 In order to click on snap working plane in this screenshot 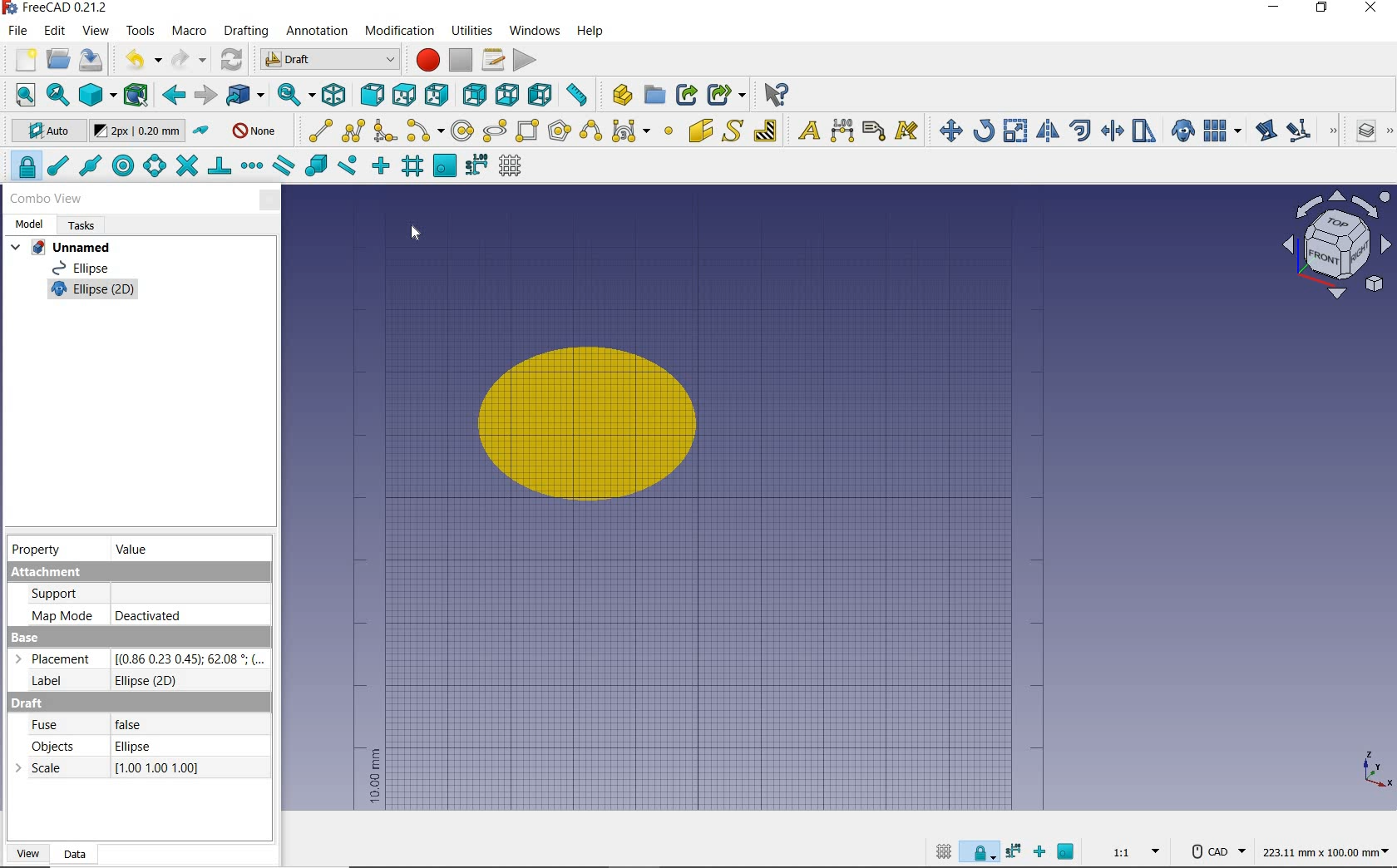, I will do `click(1068, 851)`.